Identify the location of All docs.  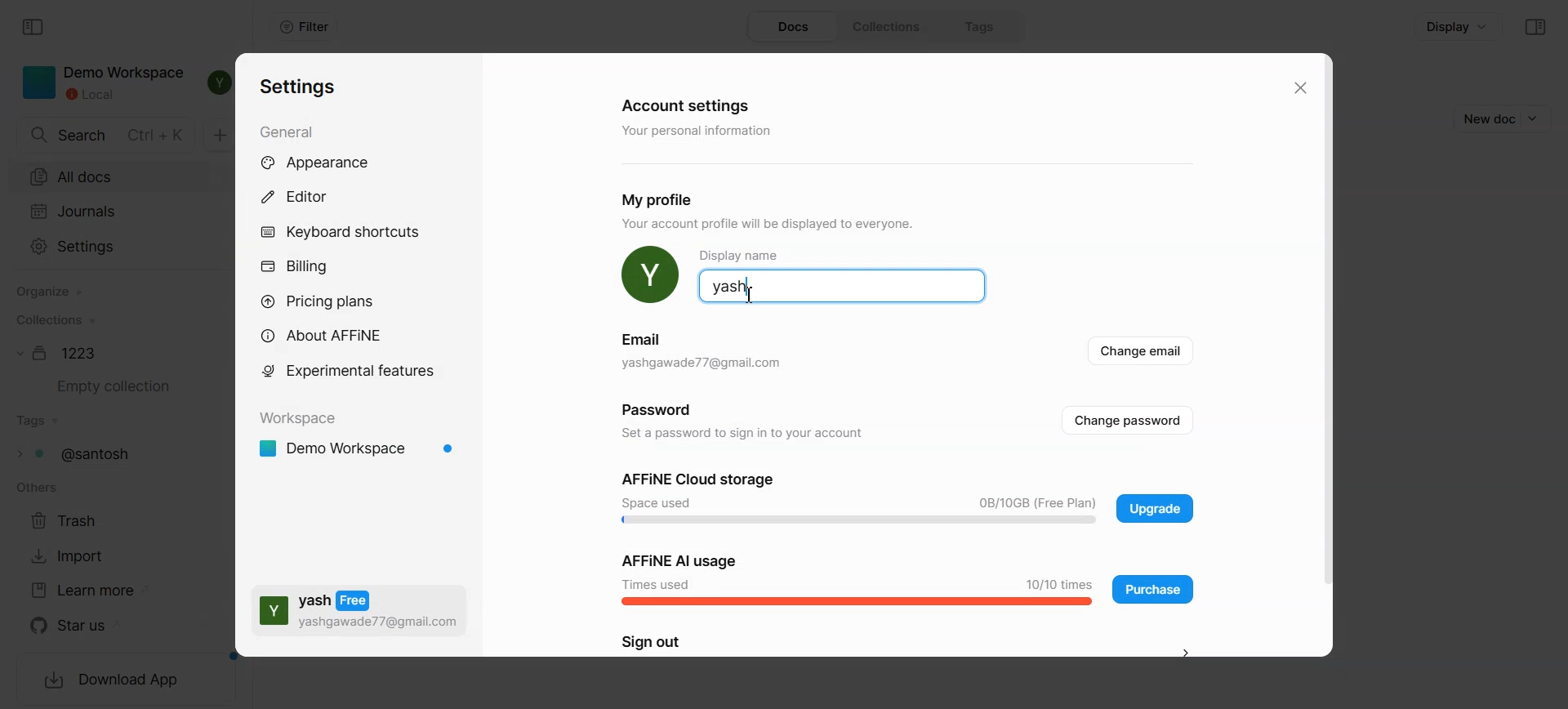
(110, 175).